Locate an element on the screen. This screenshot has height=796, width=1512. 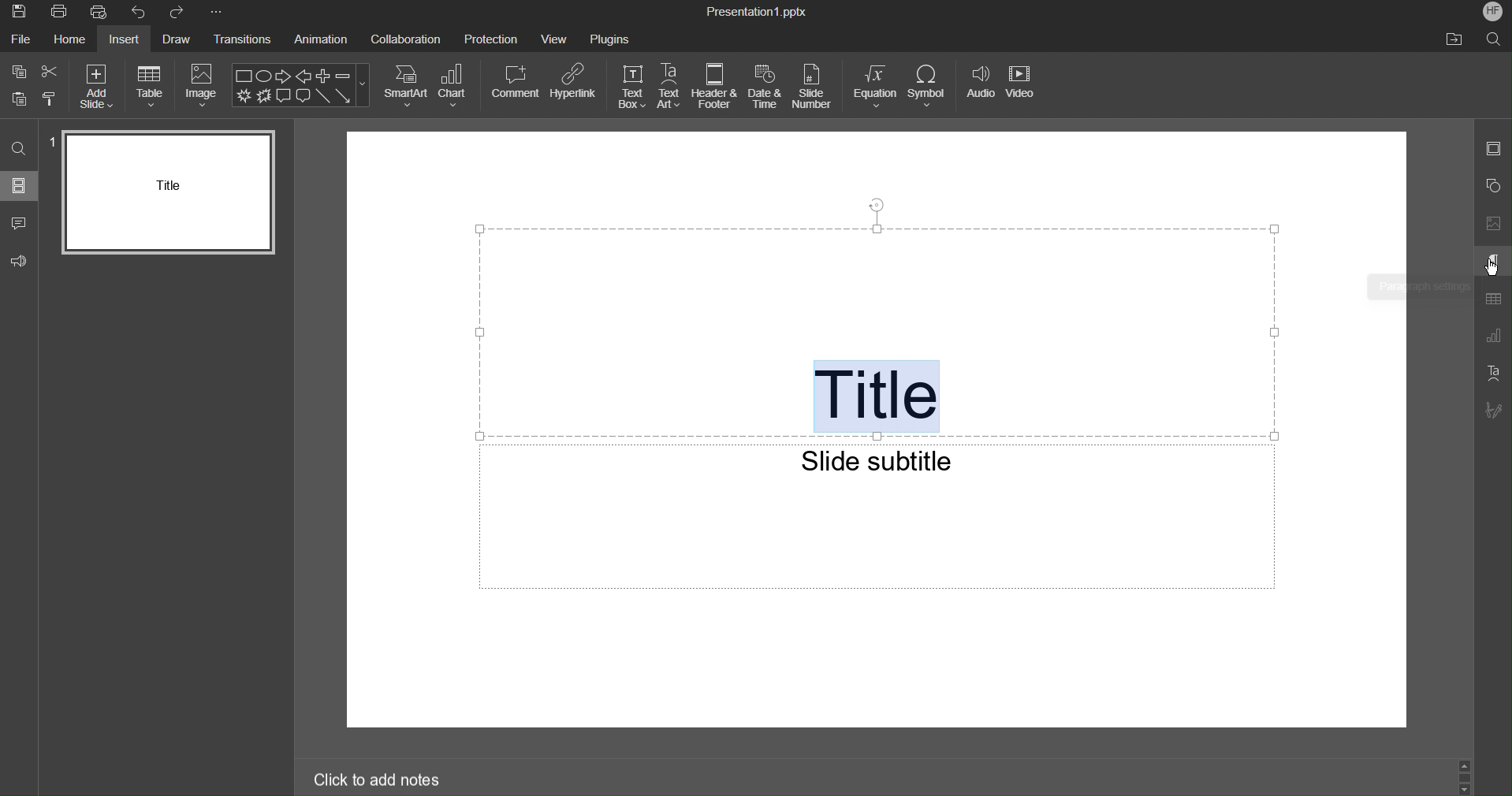
Quick Print is located at coordinates (102, 13).